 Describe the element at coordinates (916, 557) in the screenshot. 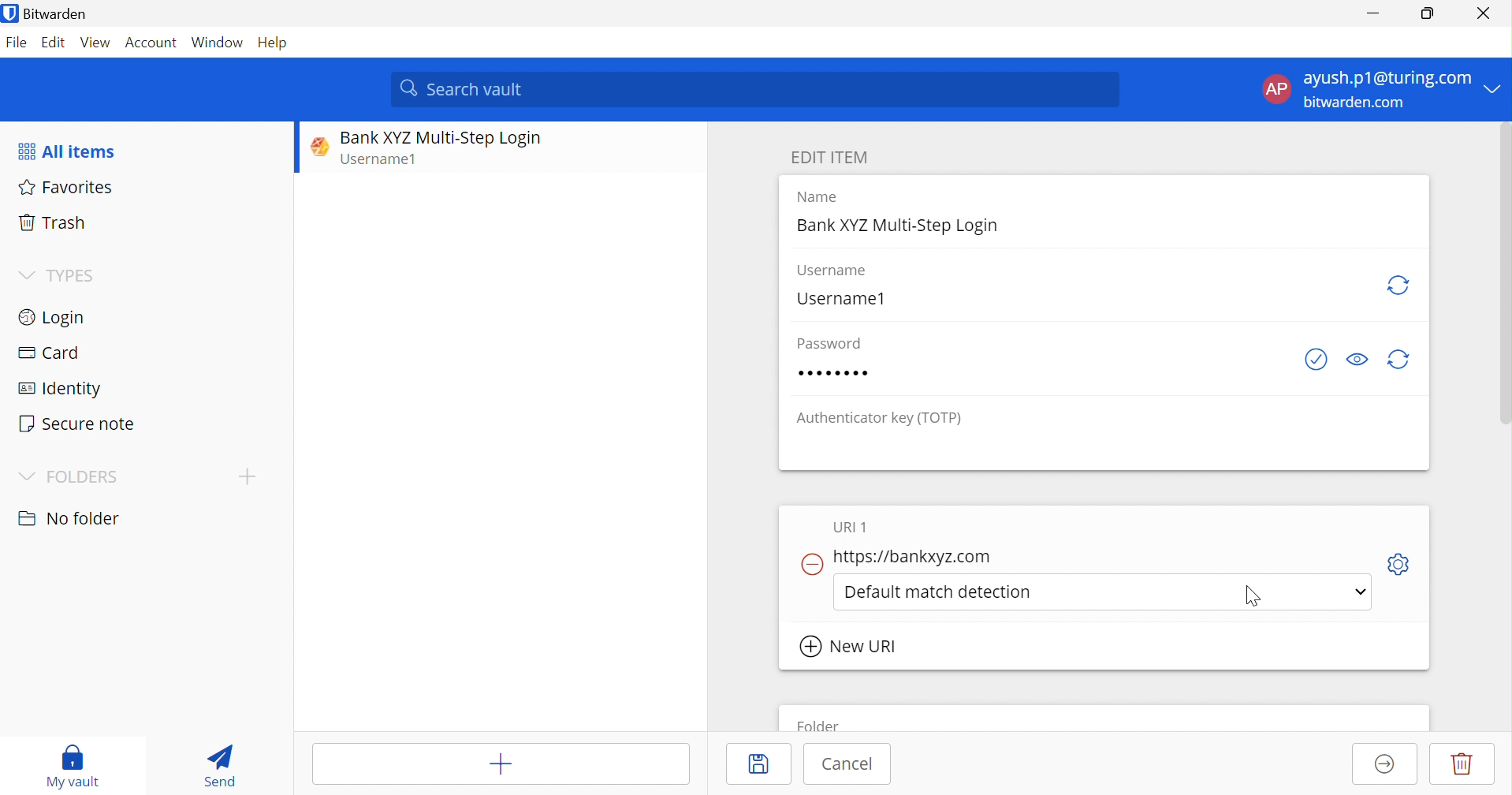

I see `https://bankxyz.com` at that location.